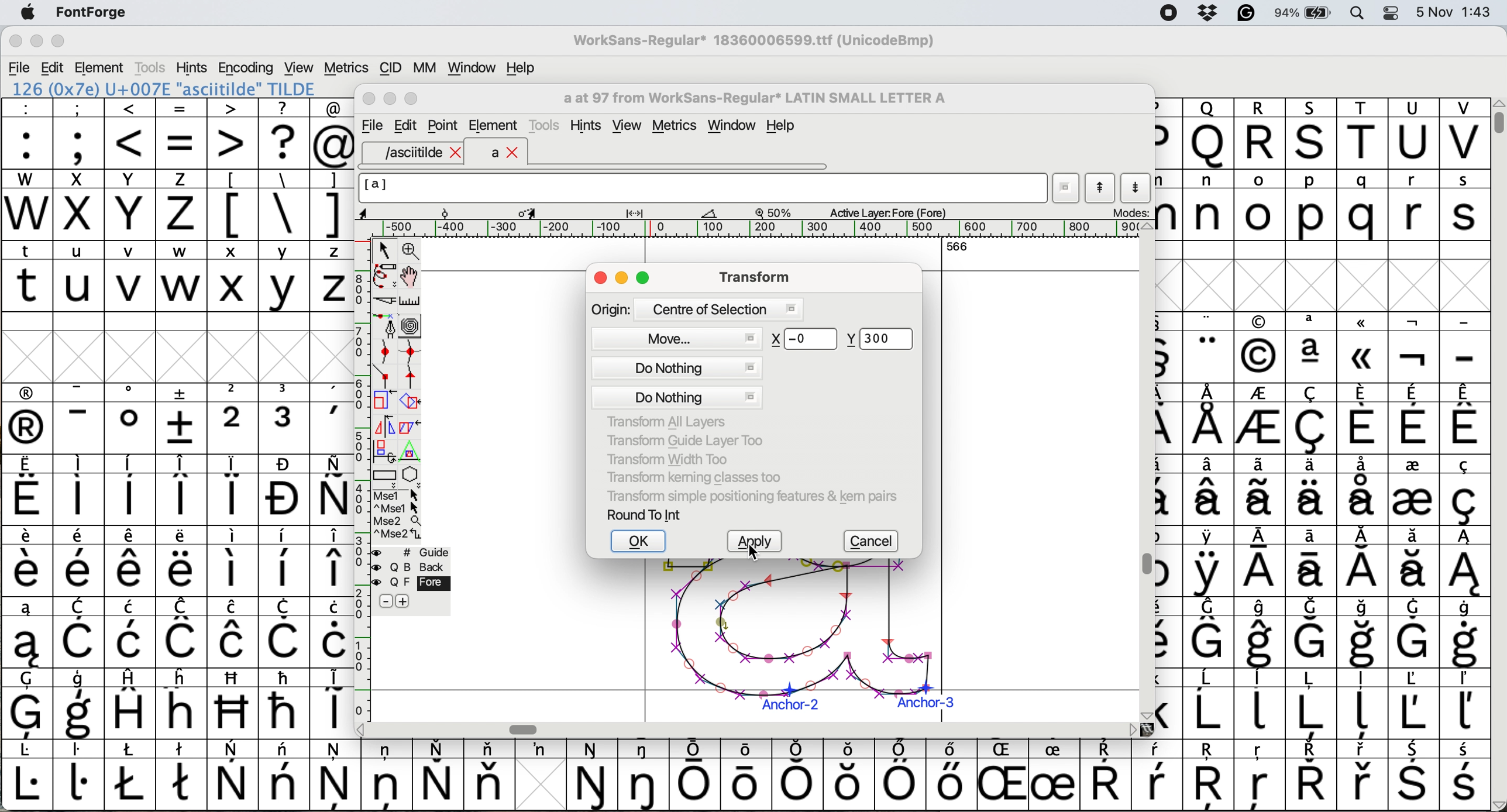 The image size is (1507, 812). What do you see at coordinates (297, 66) in the screenshot?
I see `view` at bounding box center [297, 66].